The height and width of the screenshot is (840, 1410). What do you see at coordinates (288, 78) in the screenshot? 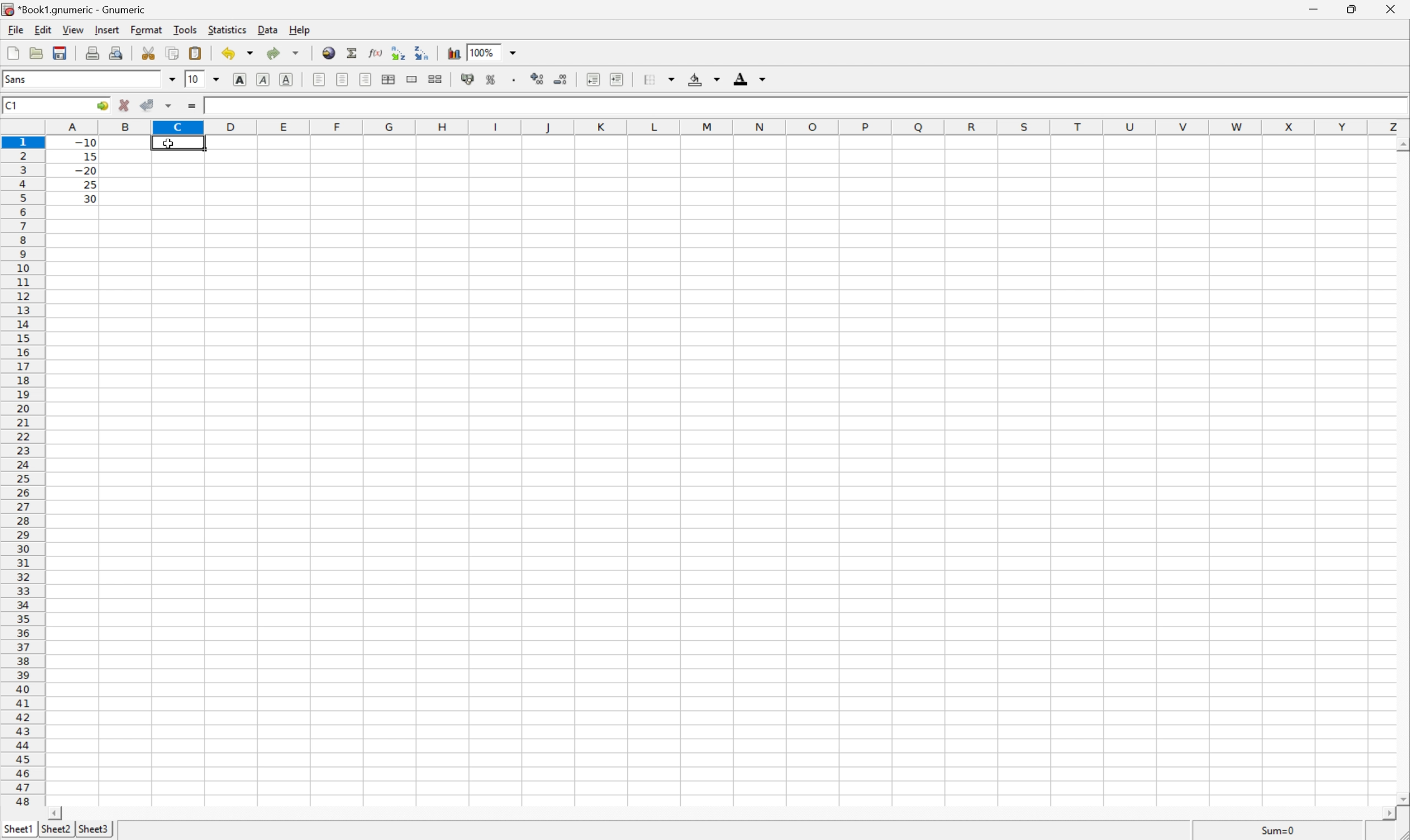
I see `Underline` at bounding box center [288, 78].